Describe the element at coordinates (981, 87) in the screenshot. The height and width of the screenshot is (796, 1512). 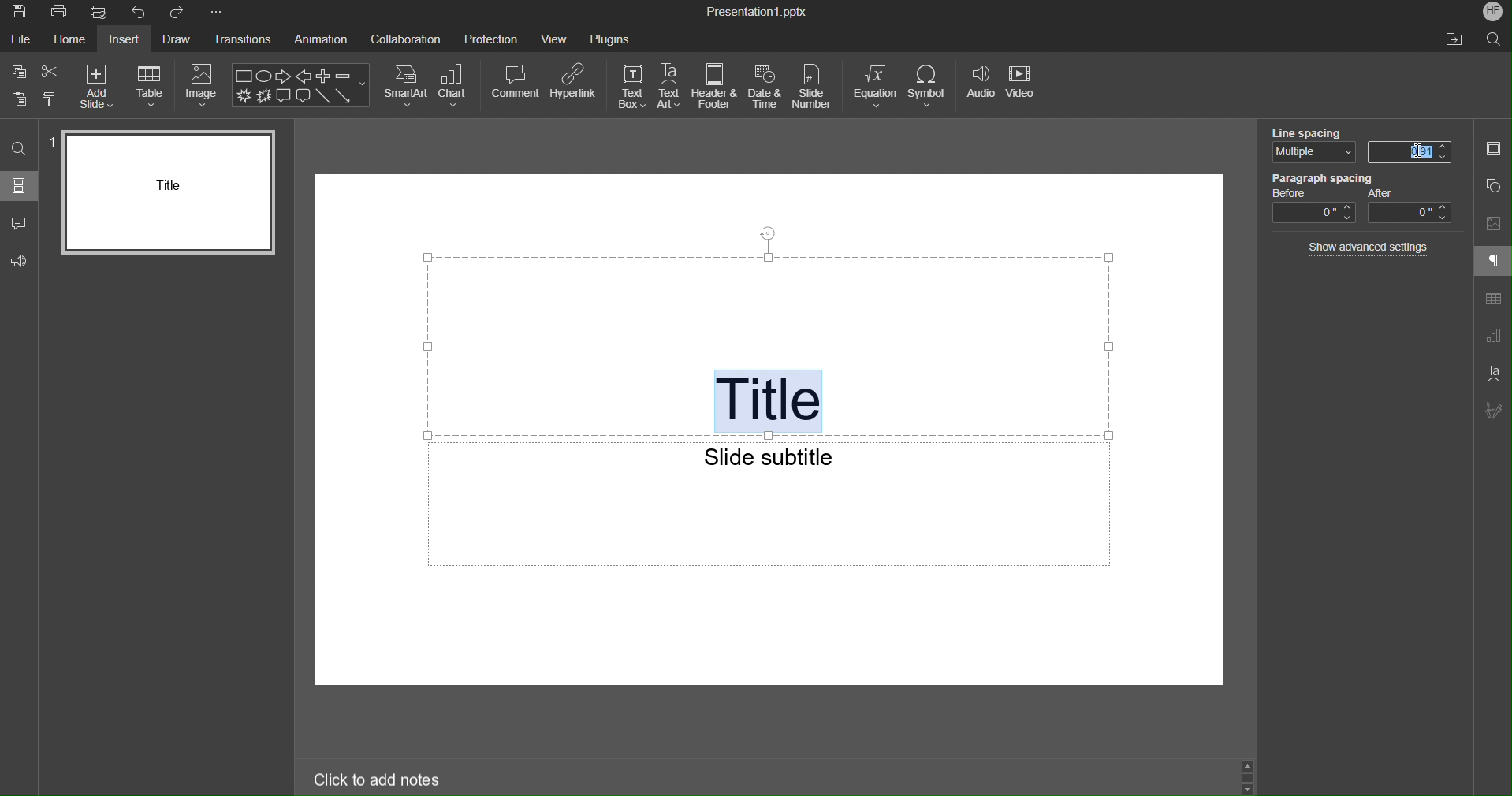
I see `Audio` at that location.